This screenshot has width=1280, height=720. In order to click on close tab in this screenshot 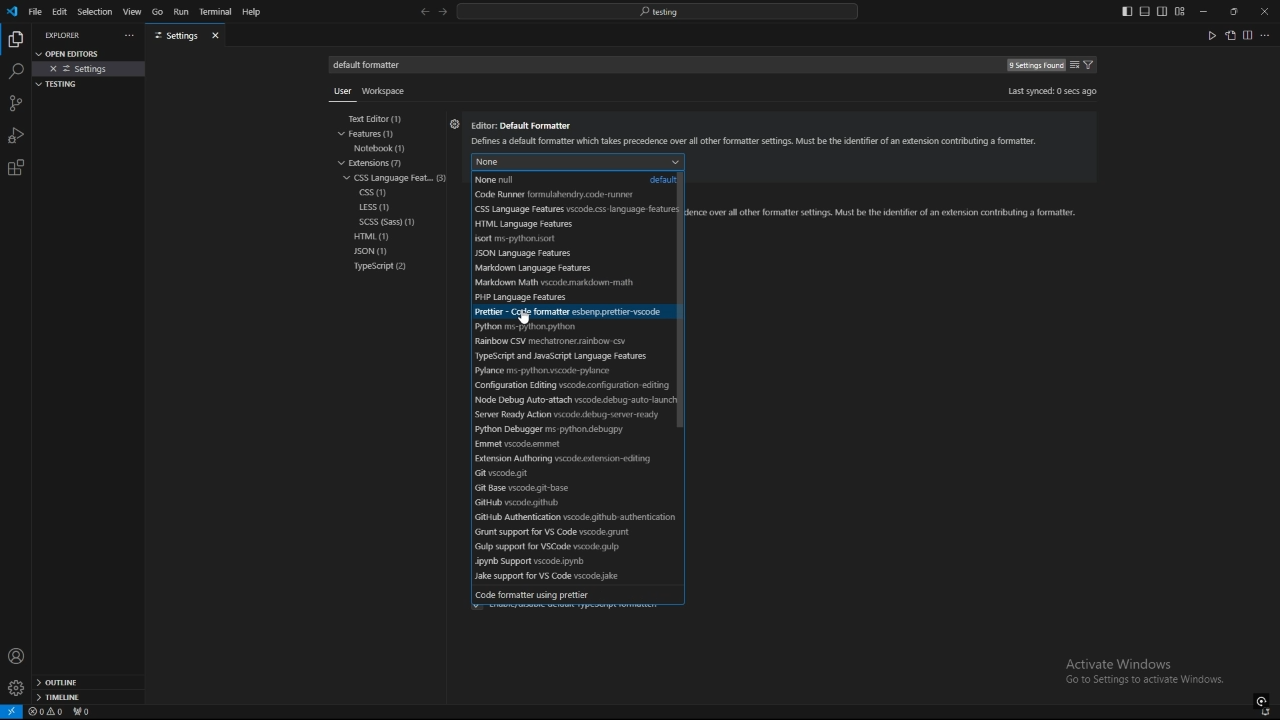, I will do `click(218, 35)`.